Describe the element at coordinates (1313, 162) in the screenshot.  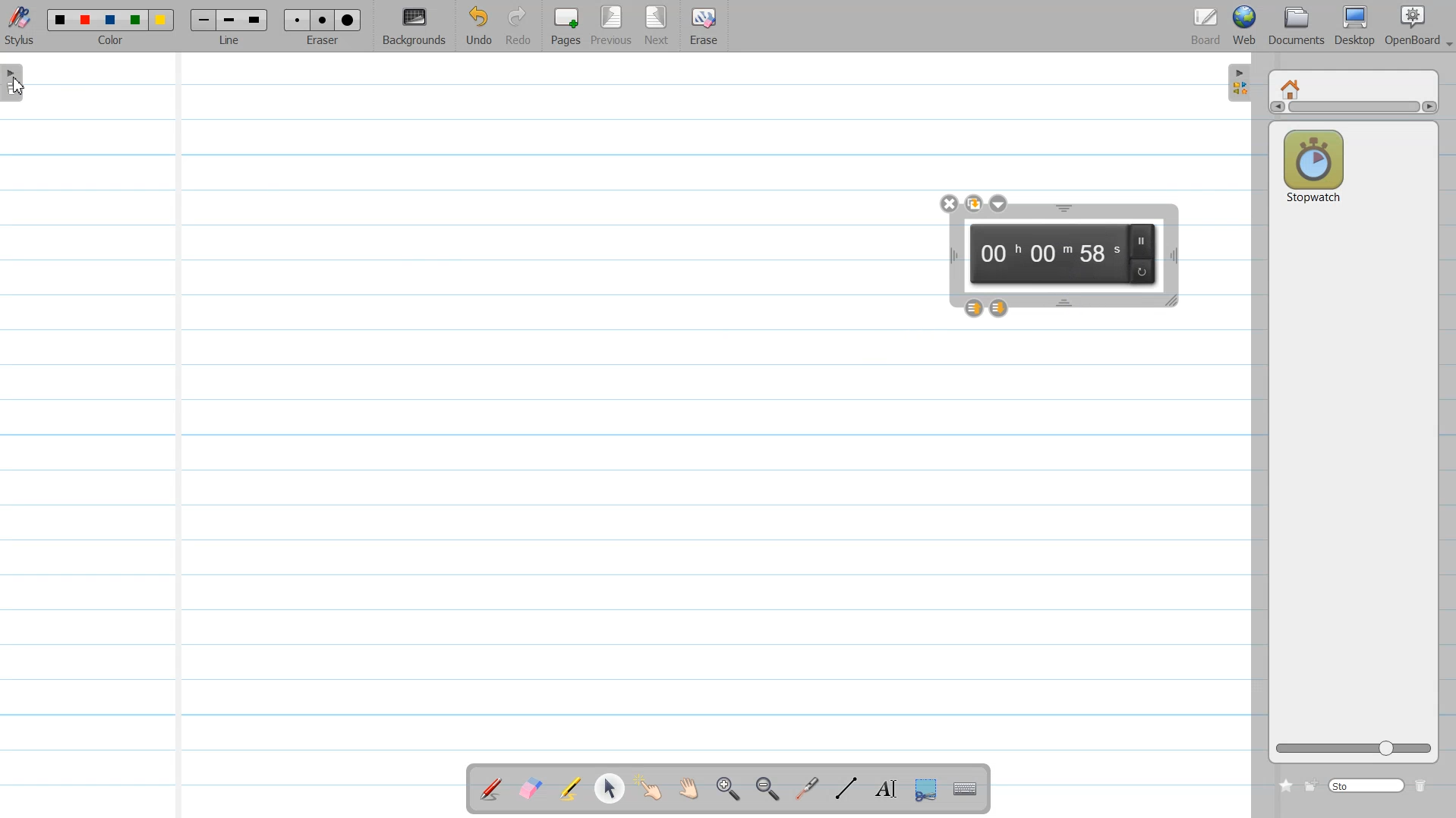
I see `Stop watch` at that location.